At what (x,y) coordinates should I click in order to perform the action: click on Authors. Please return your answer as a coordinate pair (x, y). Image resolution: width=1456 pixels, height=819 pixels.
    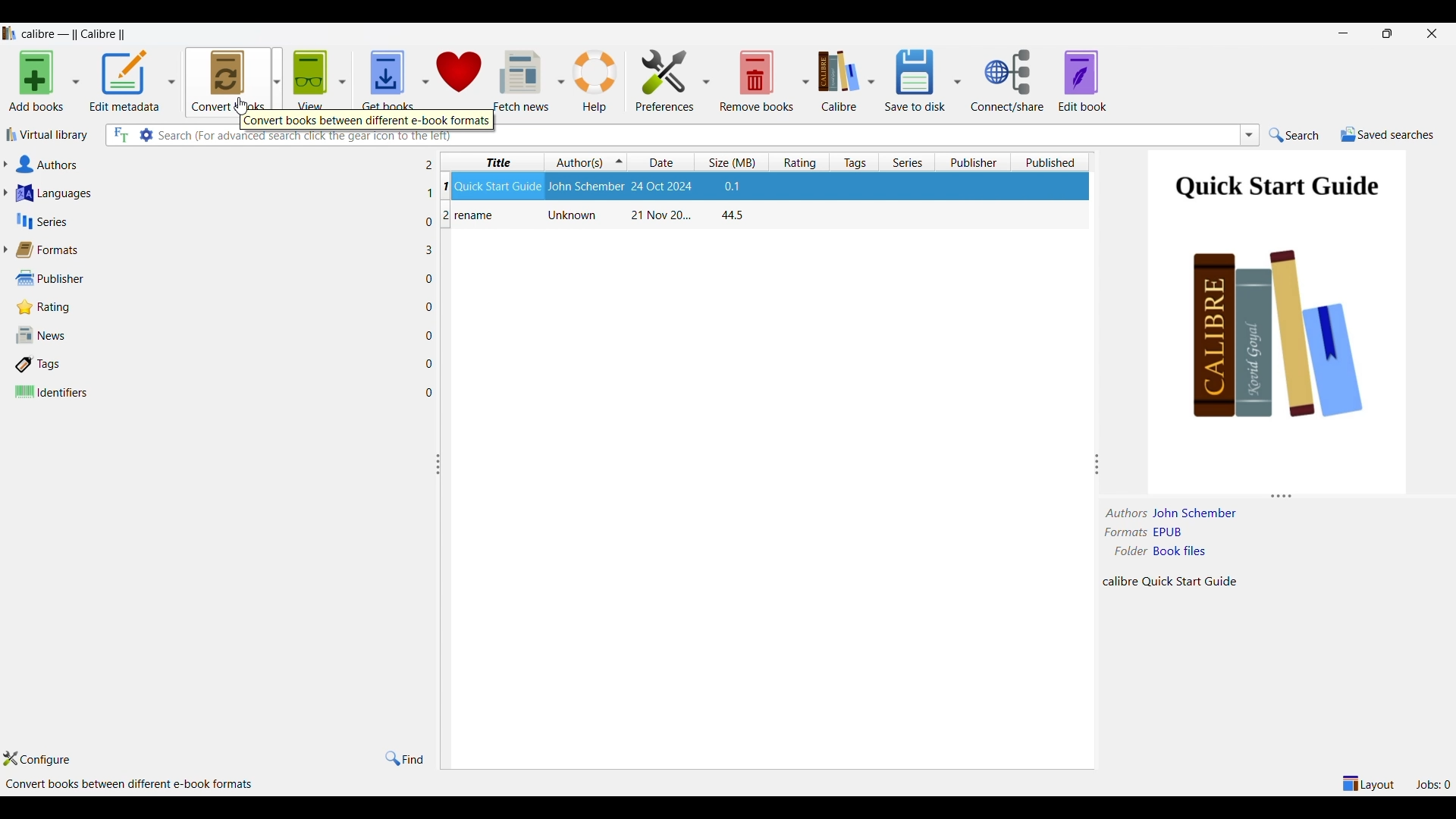
    Looking at the image, I should click on (215, 165).